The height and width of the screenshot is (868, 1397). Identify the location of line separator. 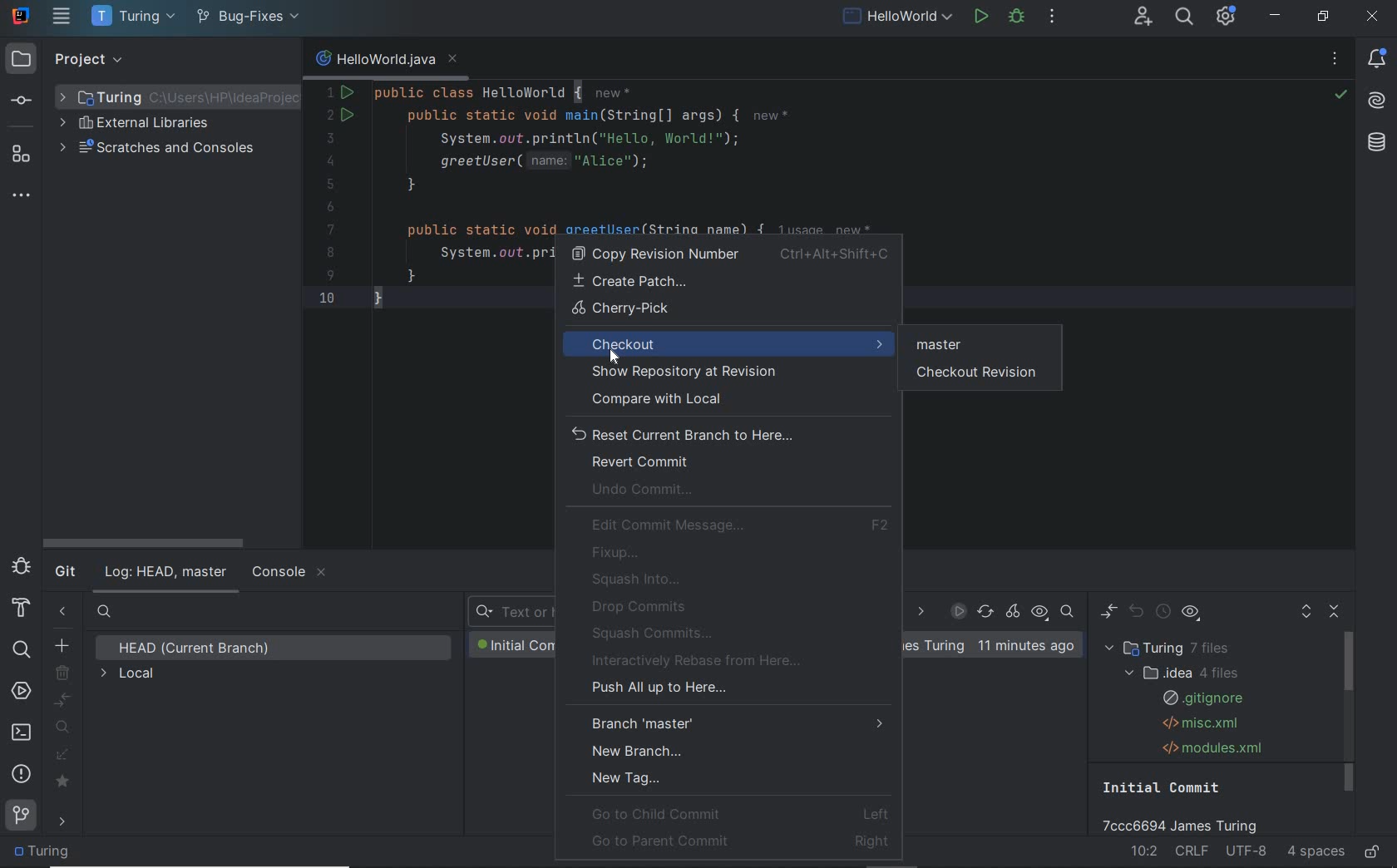
(1194, 852).